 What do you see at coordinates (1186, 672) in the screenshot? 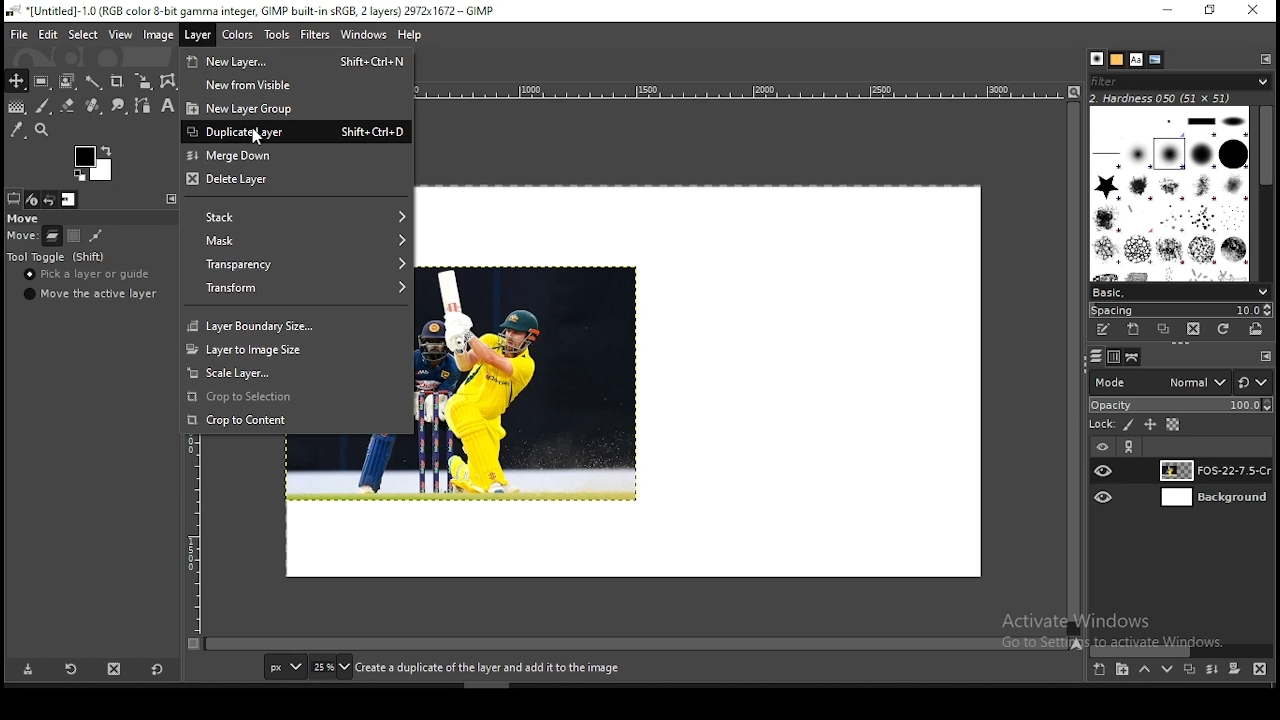
I see `duplicate layer` at bounding box center [1186, 672].